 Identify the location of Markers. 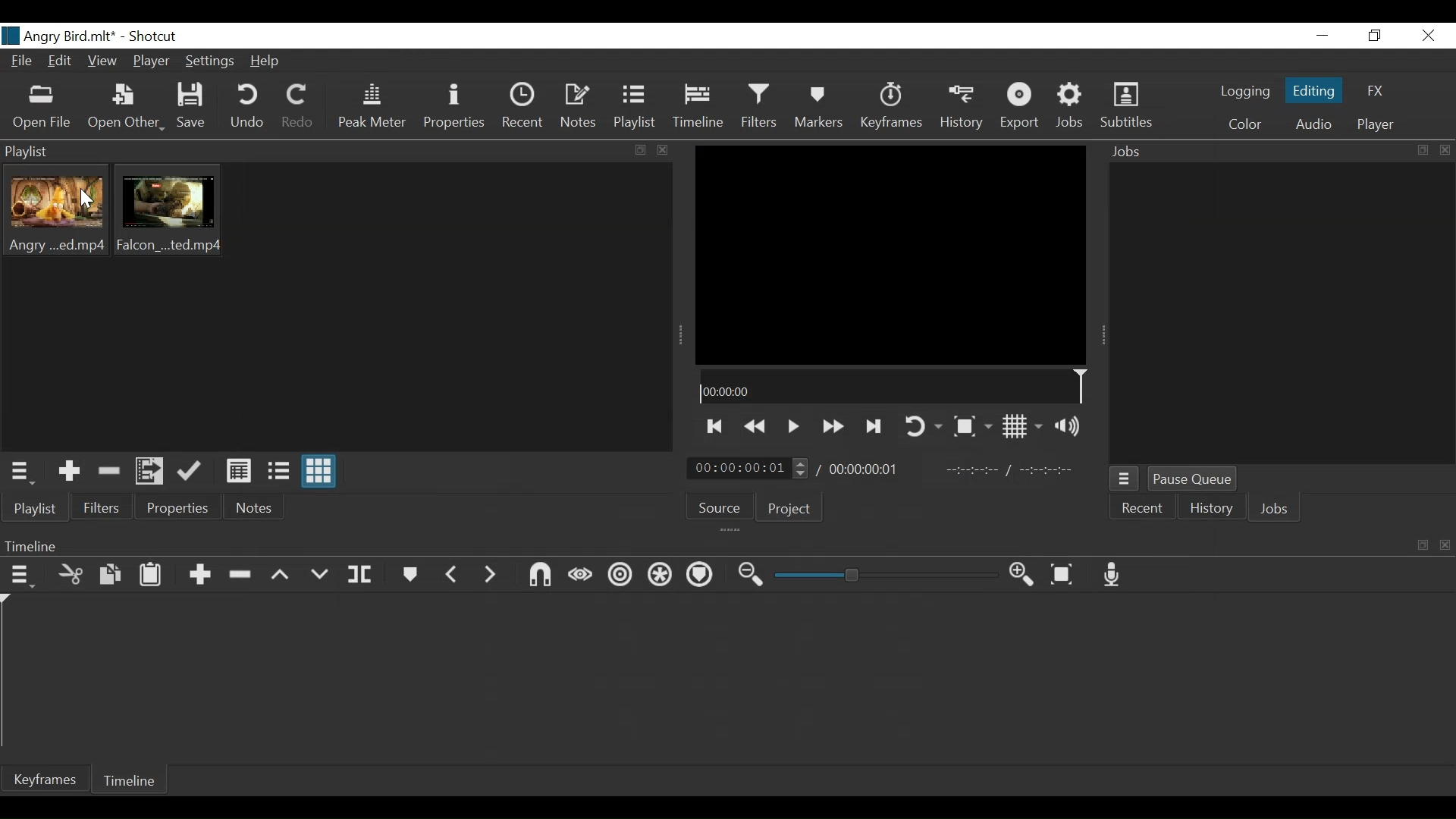
(818, 106).